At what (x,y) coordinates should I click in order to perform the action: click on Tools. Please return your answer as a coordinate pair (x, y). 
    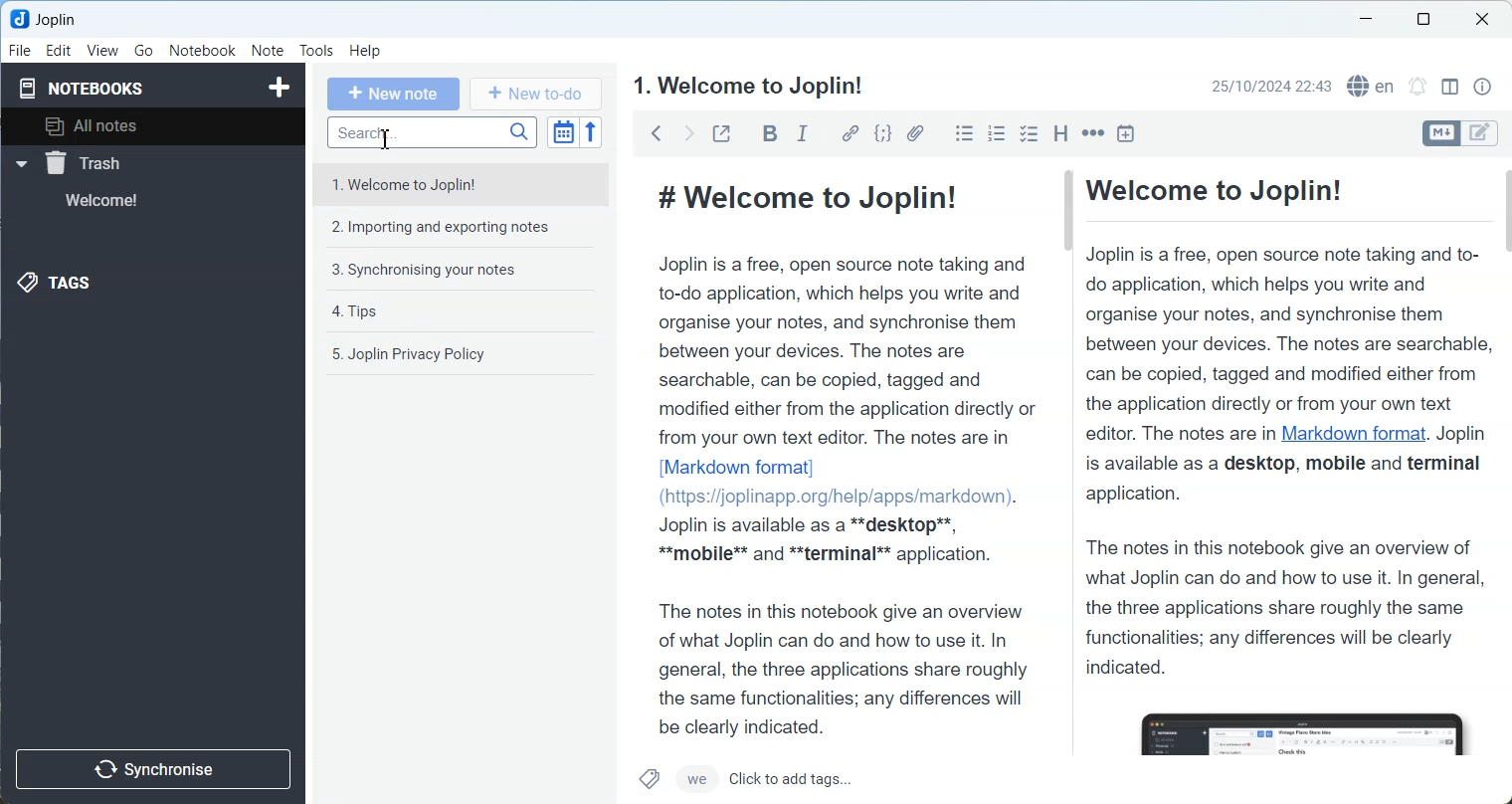
    Looking at the image, I should click on (316, 51).